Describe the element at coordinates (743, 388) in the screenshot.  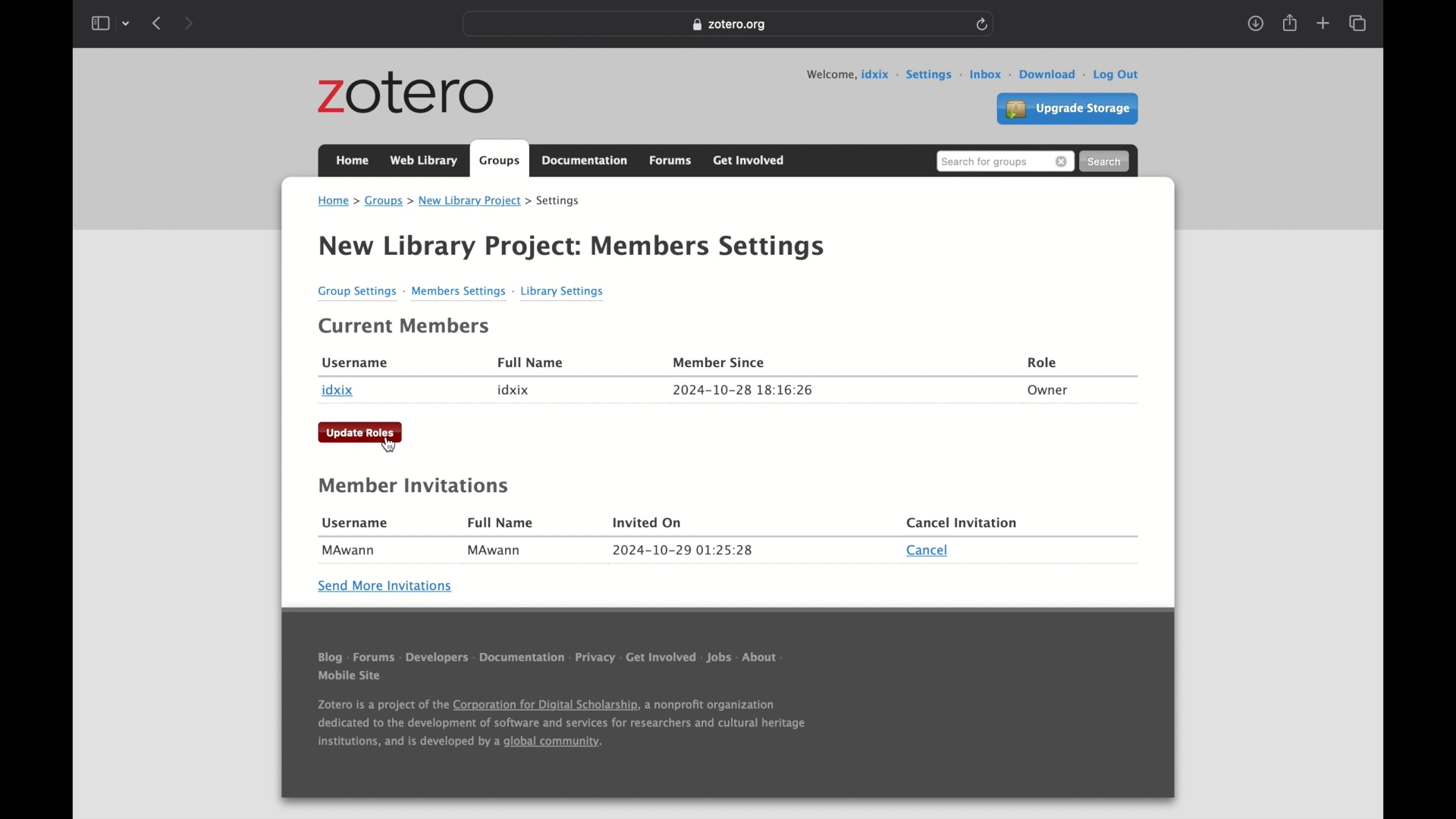
I see `2024-10-28 18:16:26` at that location.